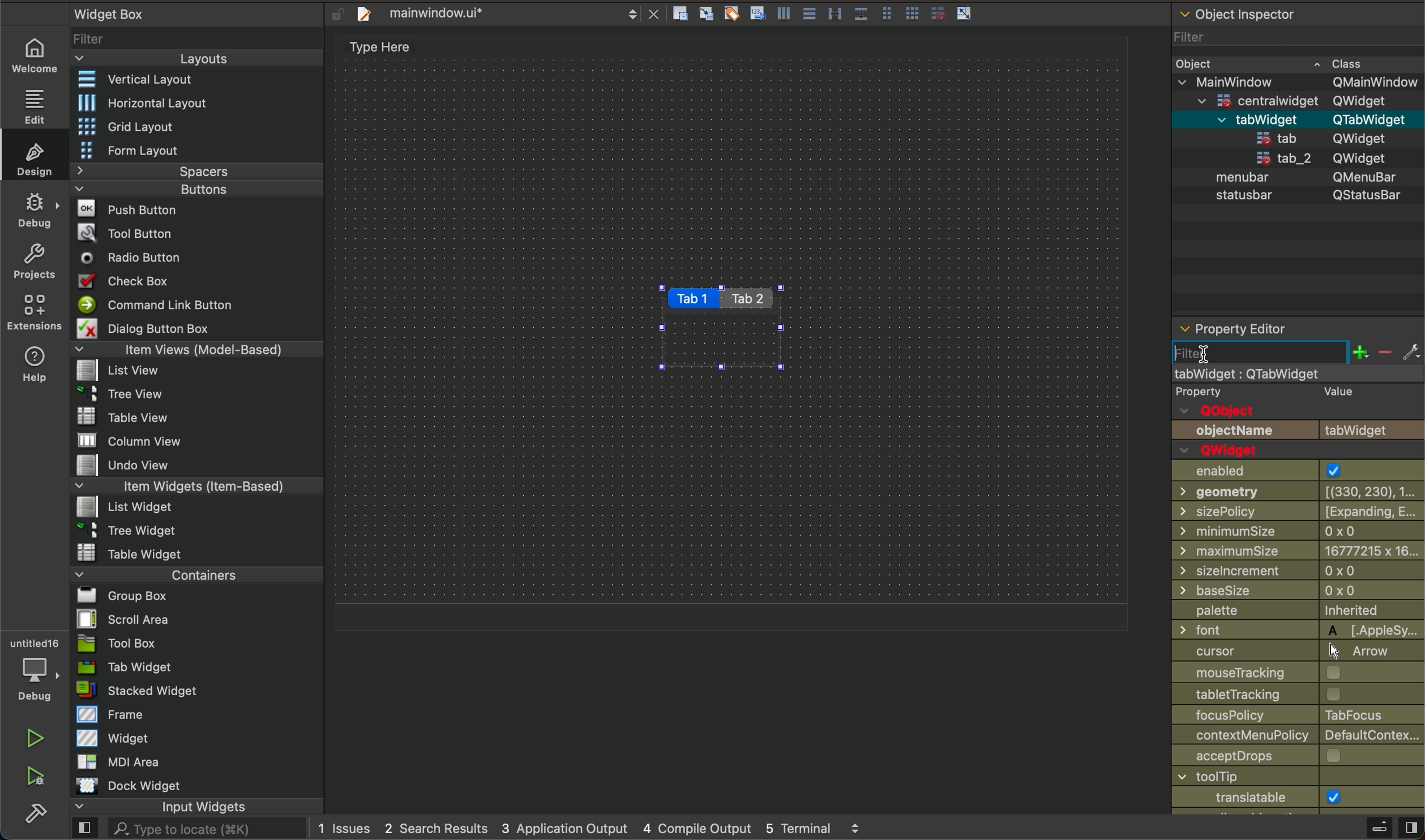 This screenshot has height=840, width=1425. Describe the element at coordinates (155, 304) in the screenshot. I see ` Command Link Button` at that location.